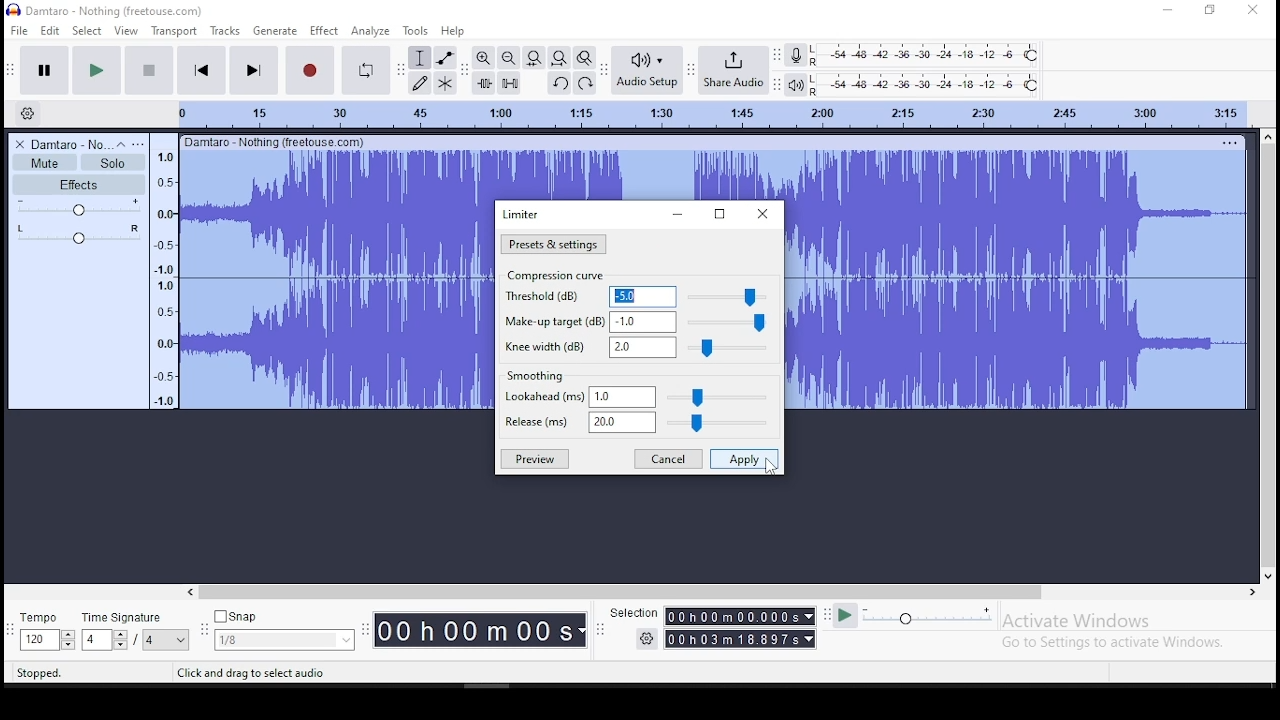  What do you see at coordinates (553, 244) in the screenshot?
I see `presets and settings` at bounding box center [553, 244].